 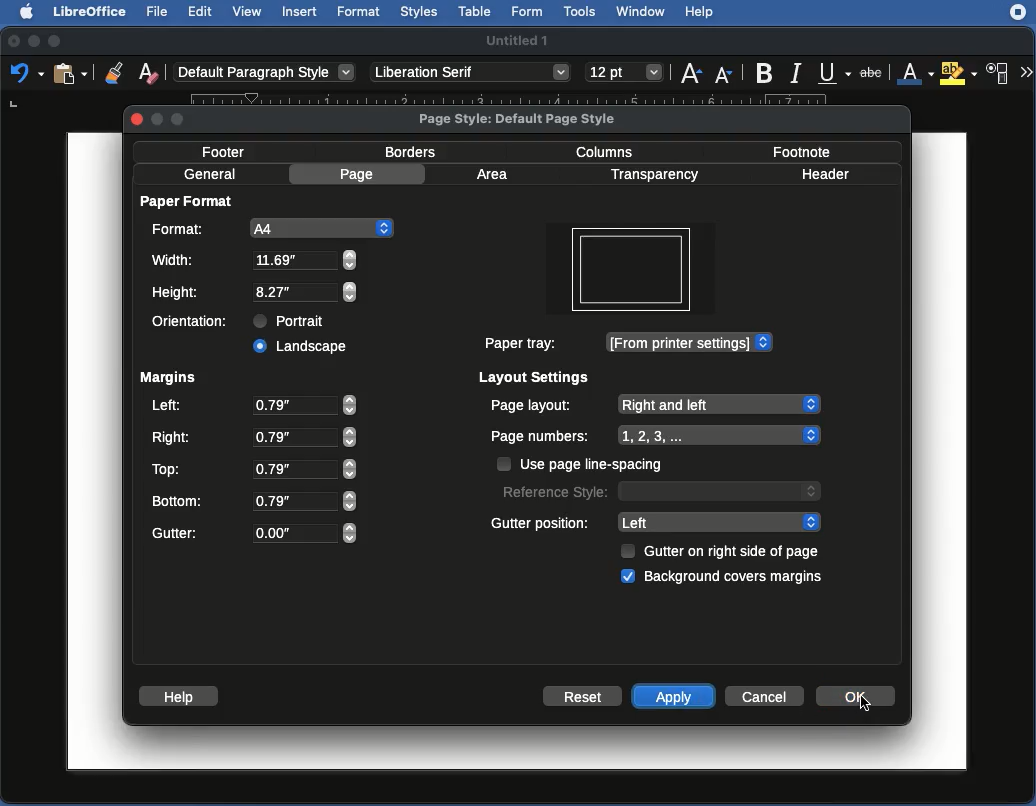 What do you see at coordinates (957, 73) in the screenshot?
I see `Highlighting` at bounding box center [957, 73].